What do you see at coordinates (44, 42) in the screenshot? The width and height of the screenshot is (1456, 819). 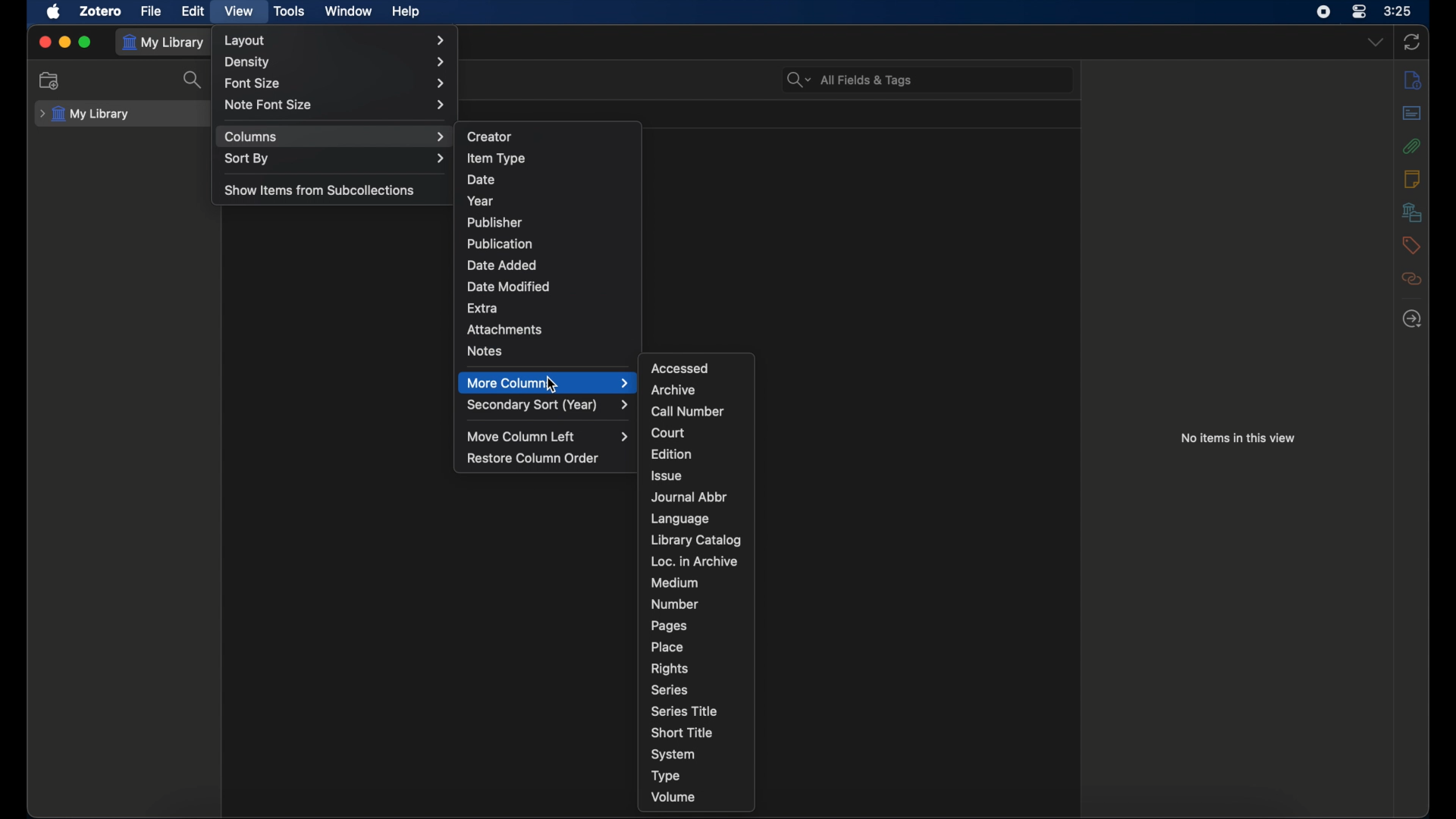 I see `close` at bounding box center [44, 42].